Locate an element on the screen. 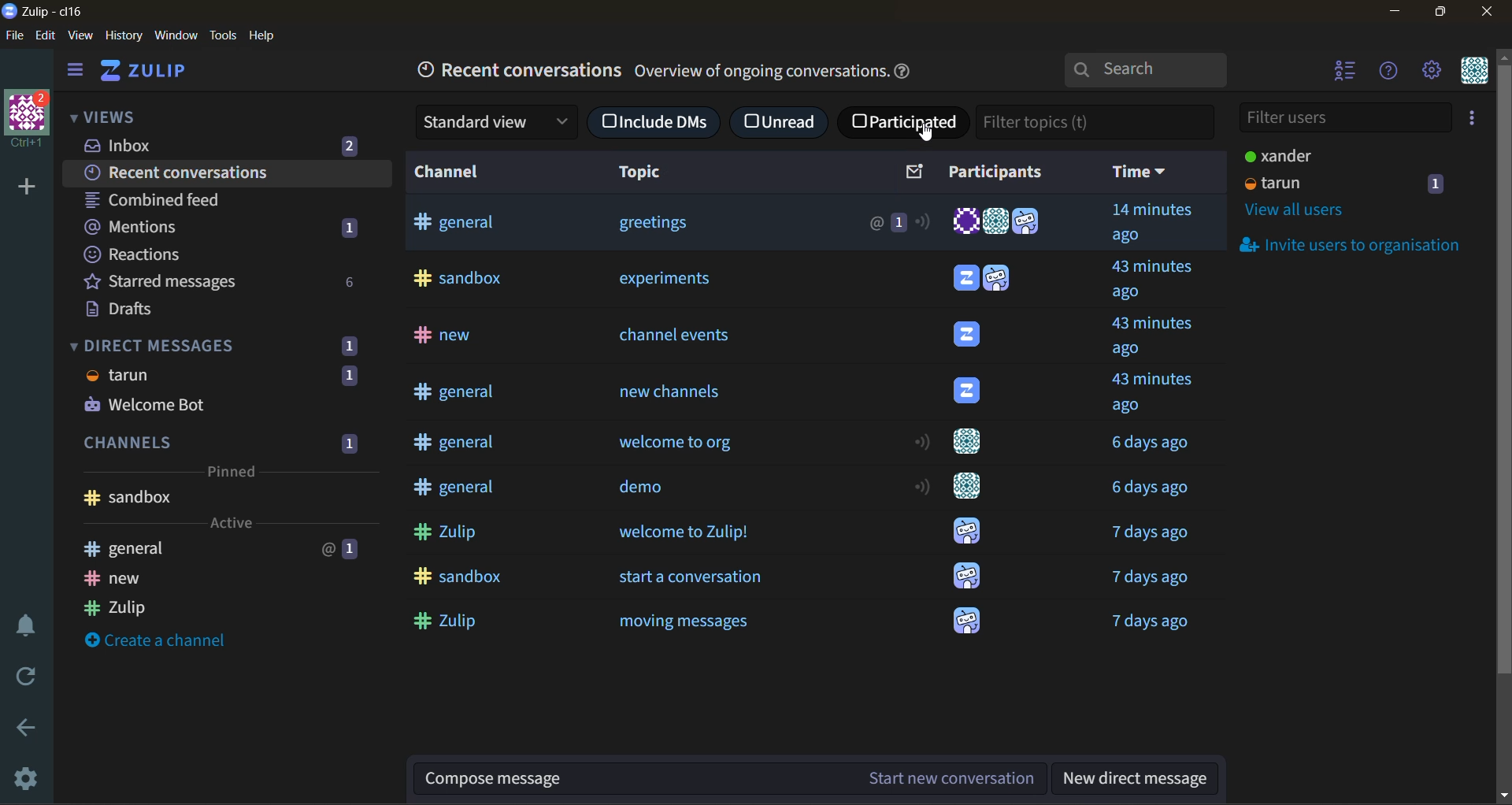 The width and height of the screenshot is (1512, 805). invite users to organisation is located at coordinates (1474, 121).